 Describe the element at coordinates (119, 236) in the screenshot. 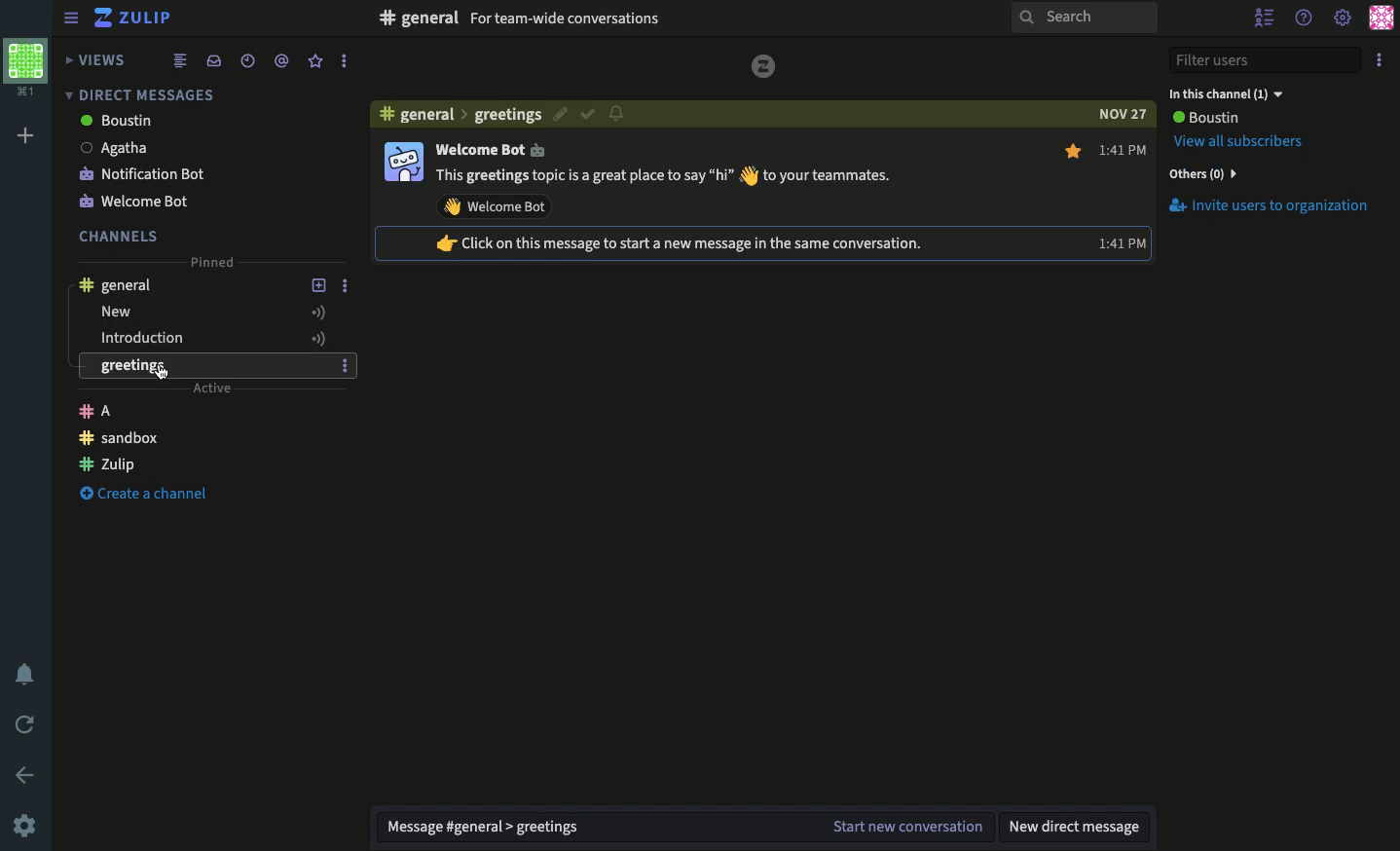

I see `Channels` at that location.